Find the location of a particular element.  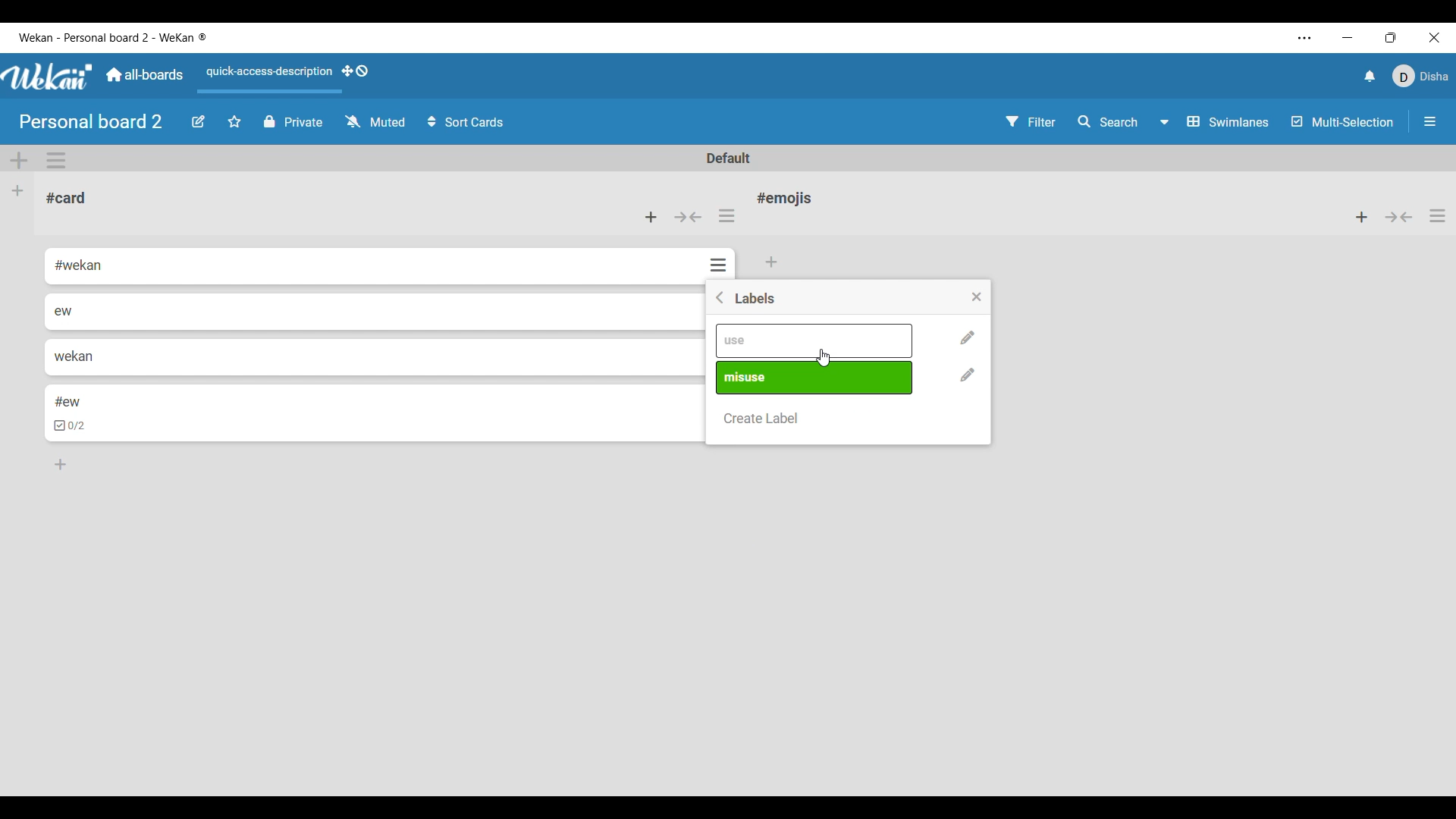

Card name is located at coordinates (788, 198).